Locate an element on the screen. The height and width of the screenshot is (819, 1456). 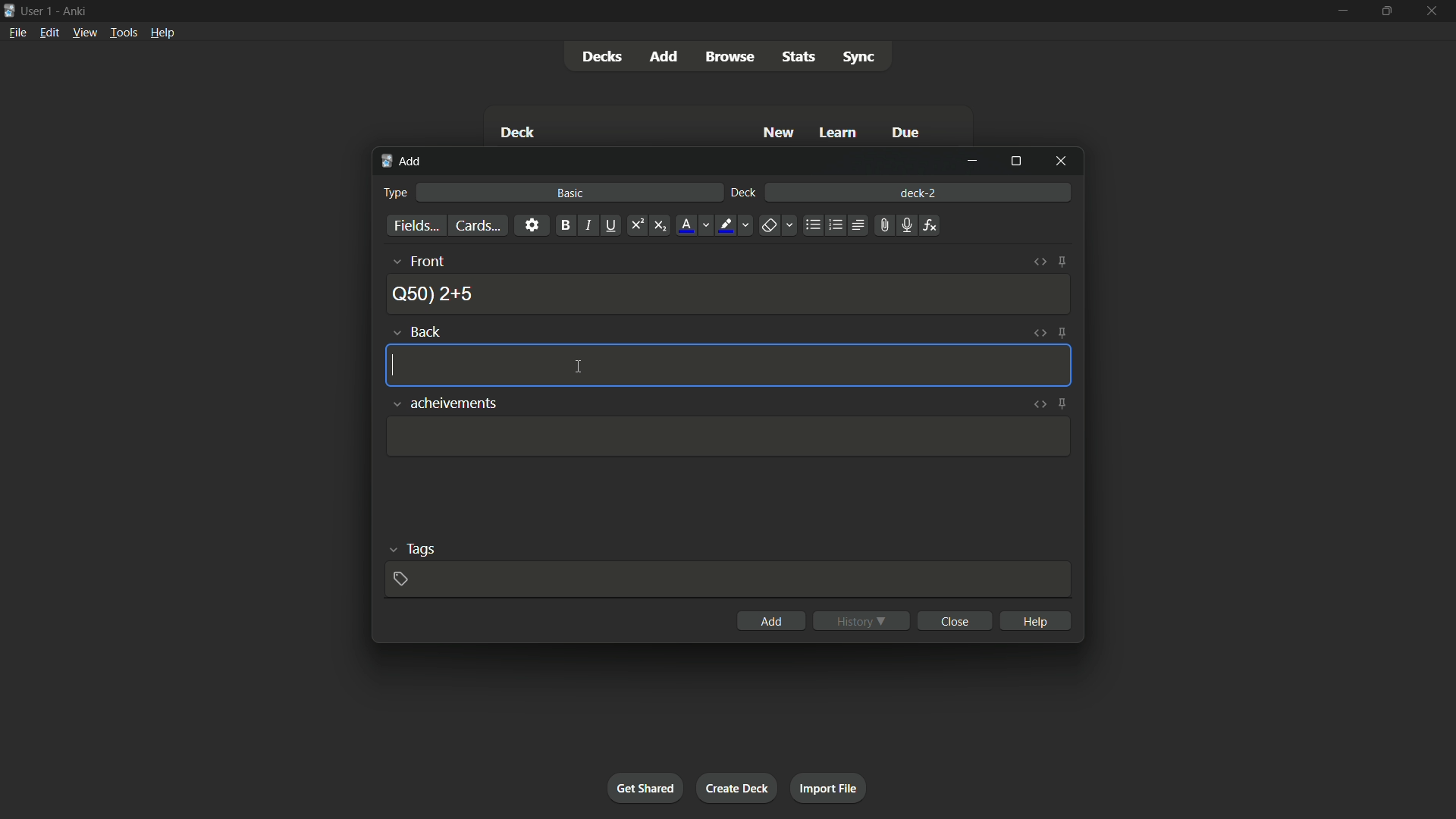
minimize is located at coordinates (972, 162).